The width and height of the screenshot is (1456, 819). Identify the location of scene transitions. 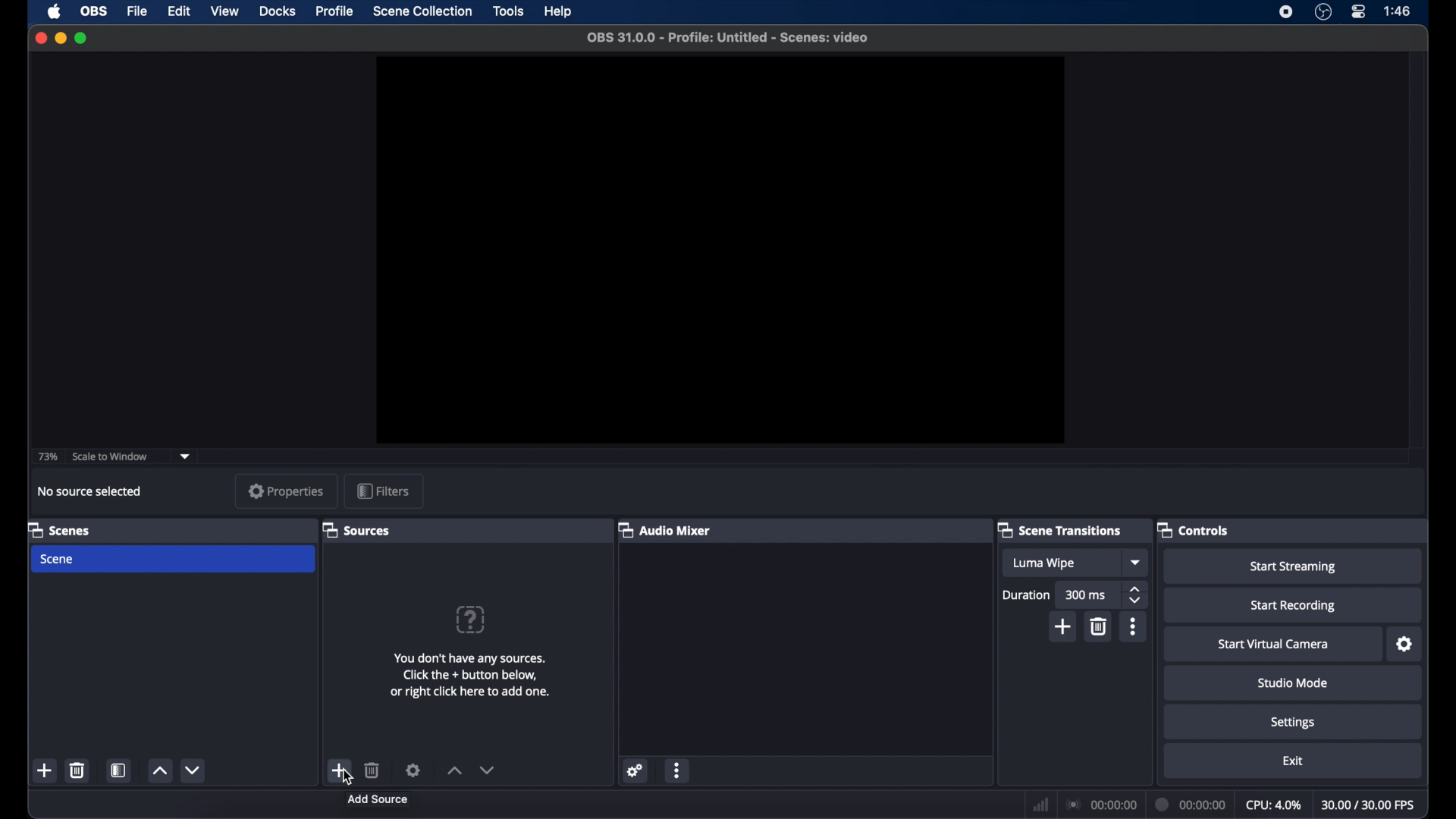
(1059, 529).